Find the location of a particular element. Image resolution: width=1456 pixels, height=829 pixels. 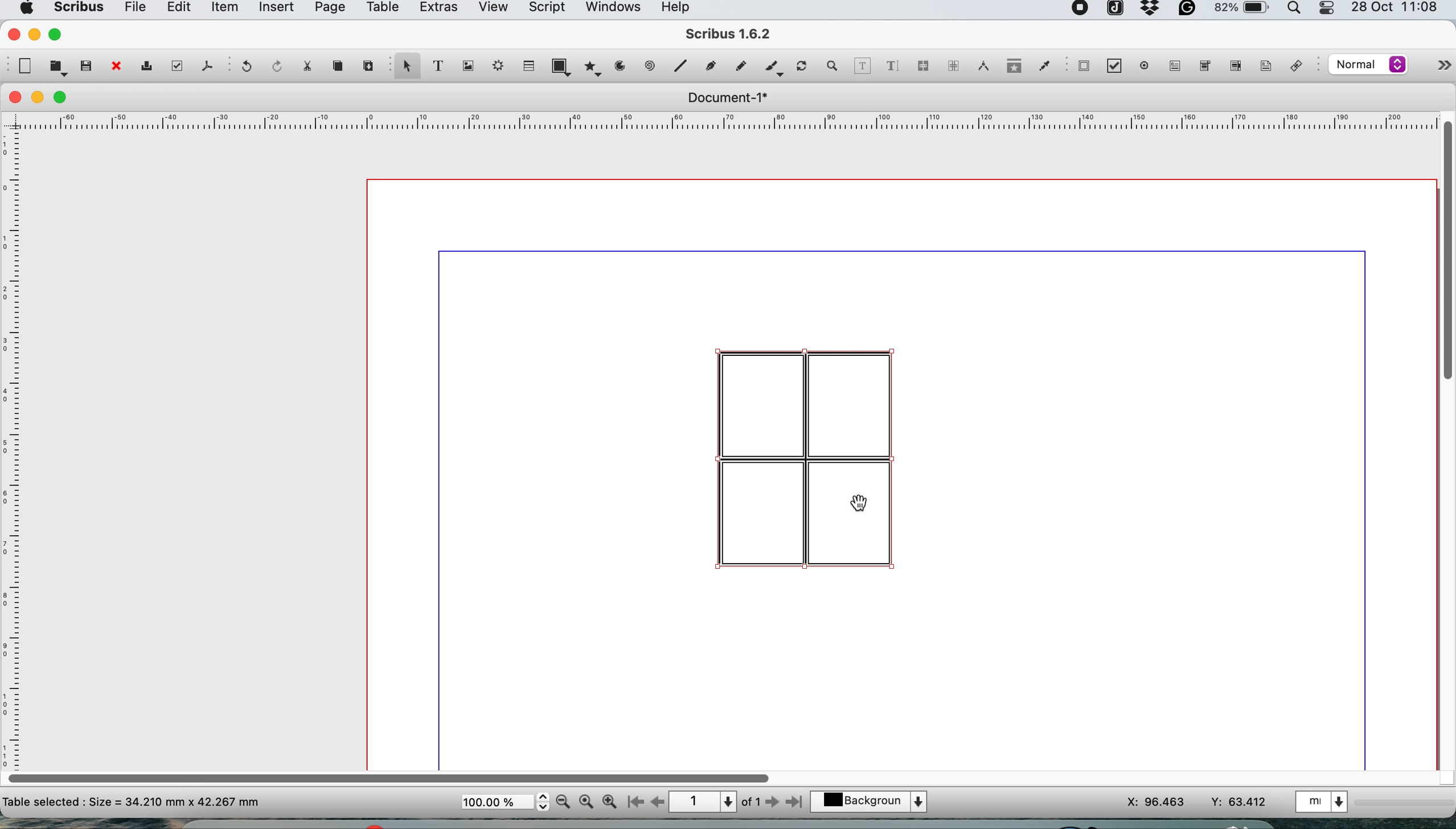

pdf text field is located at coordinates (1172, 66).